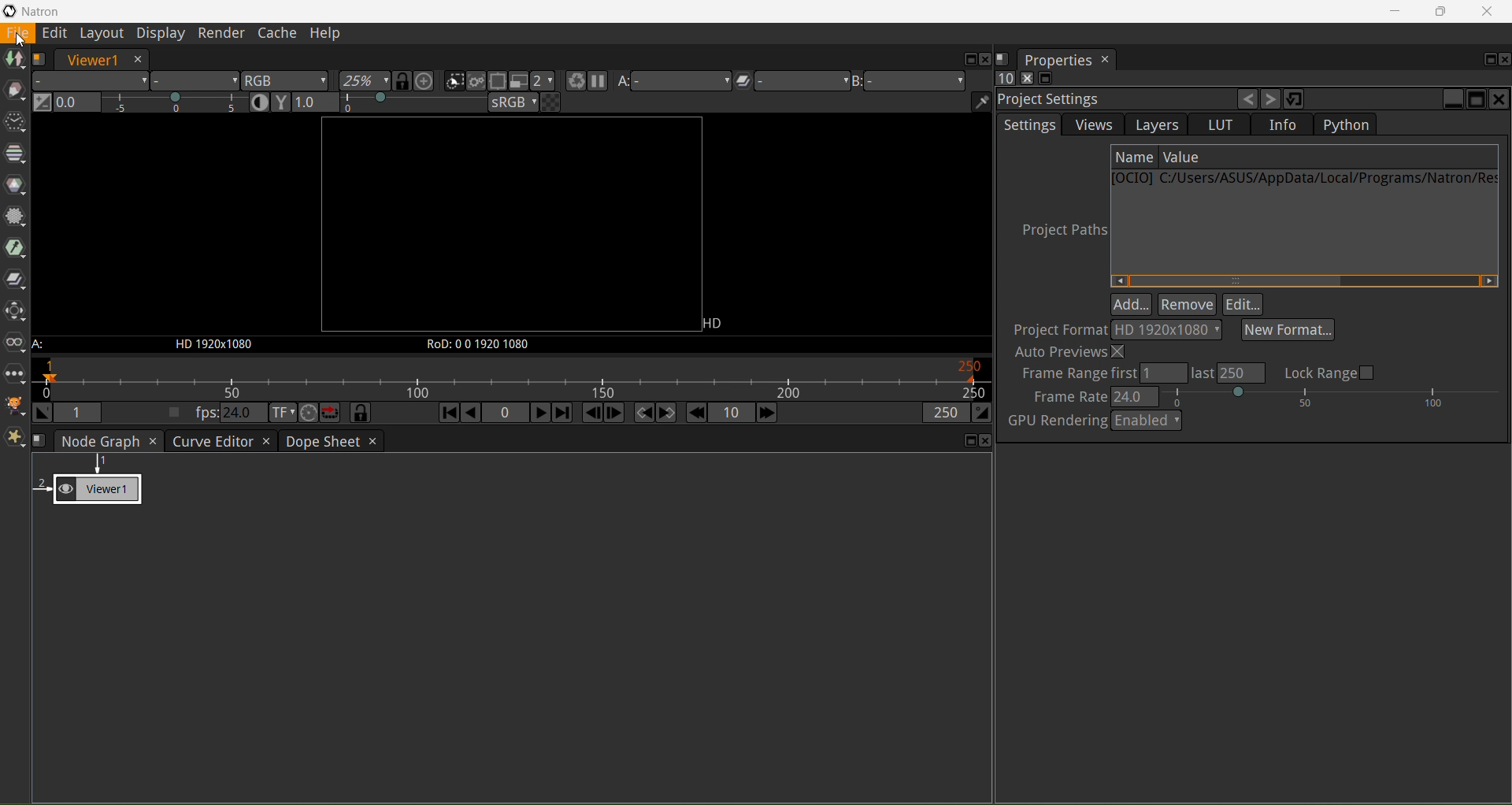 The image size is (1512, 805). What do you see at coordinates (150, 103) in the screenshot?
I see `Gain` at bounding box center [150, 103].